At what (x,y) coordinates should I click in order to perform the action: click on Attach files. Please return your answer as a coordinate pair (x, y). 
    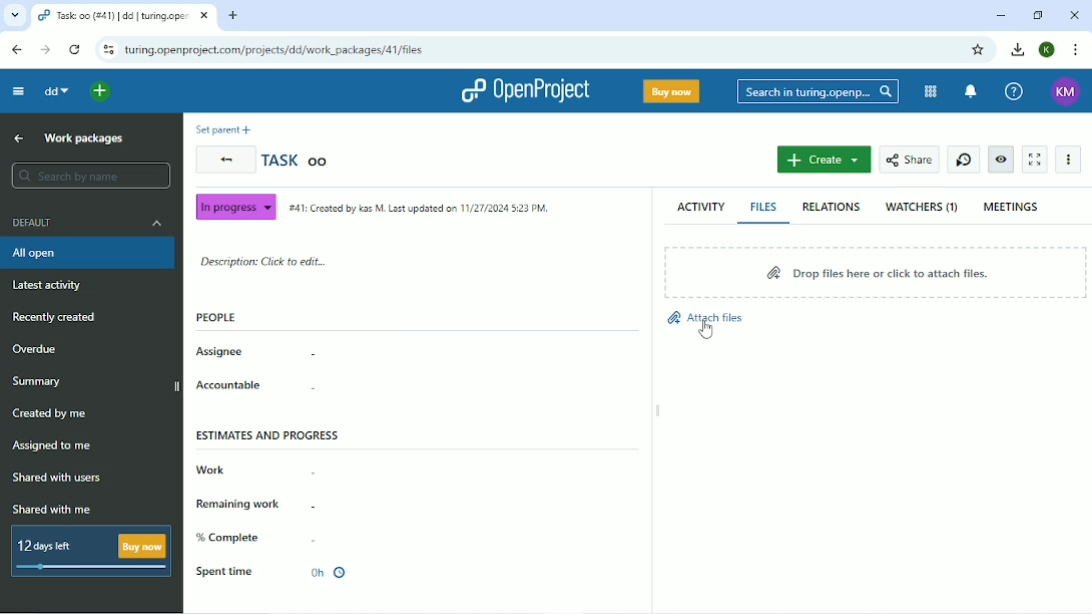
    Looking at the image, I should click on (704, 323).